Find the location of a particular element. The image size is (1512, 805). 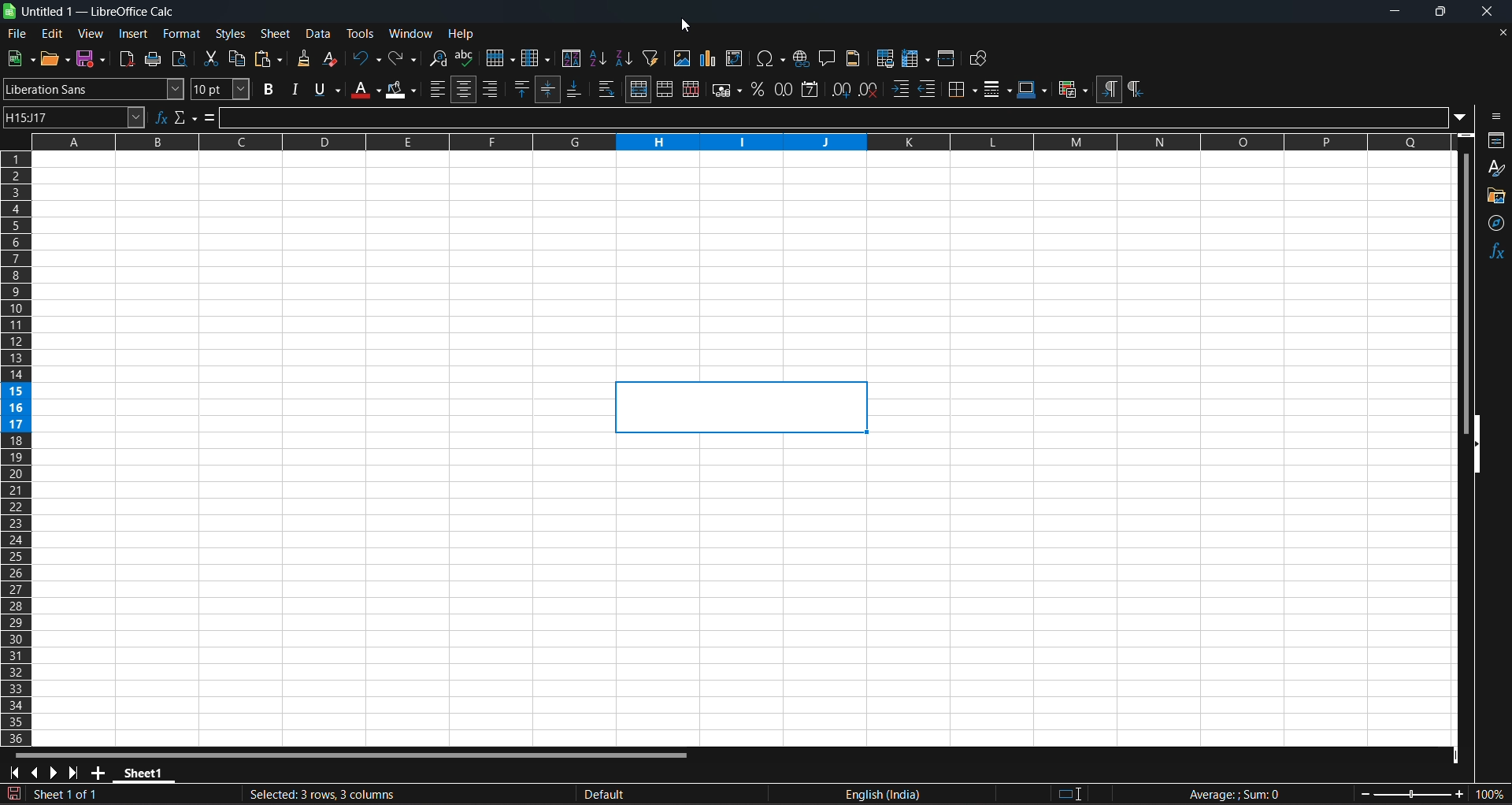

title is located at coordinates (98, 13).